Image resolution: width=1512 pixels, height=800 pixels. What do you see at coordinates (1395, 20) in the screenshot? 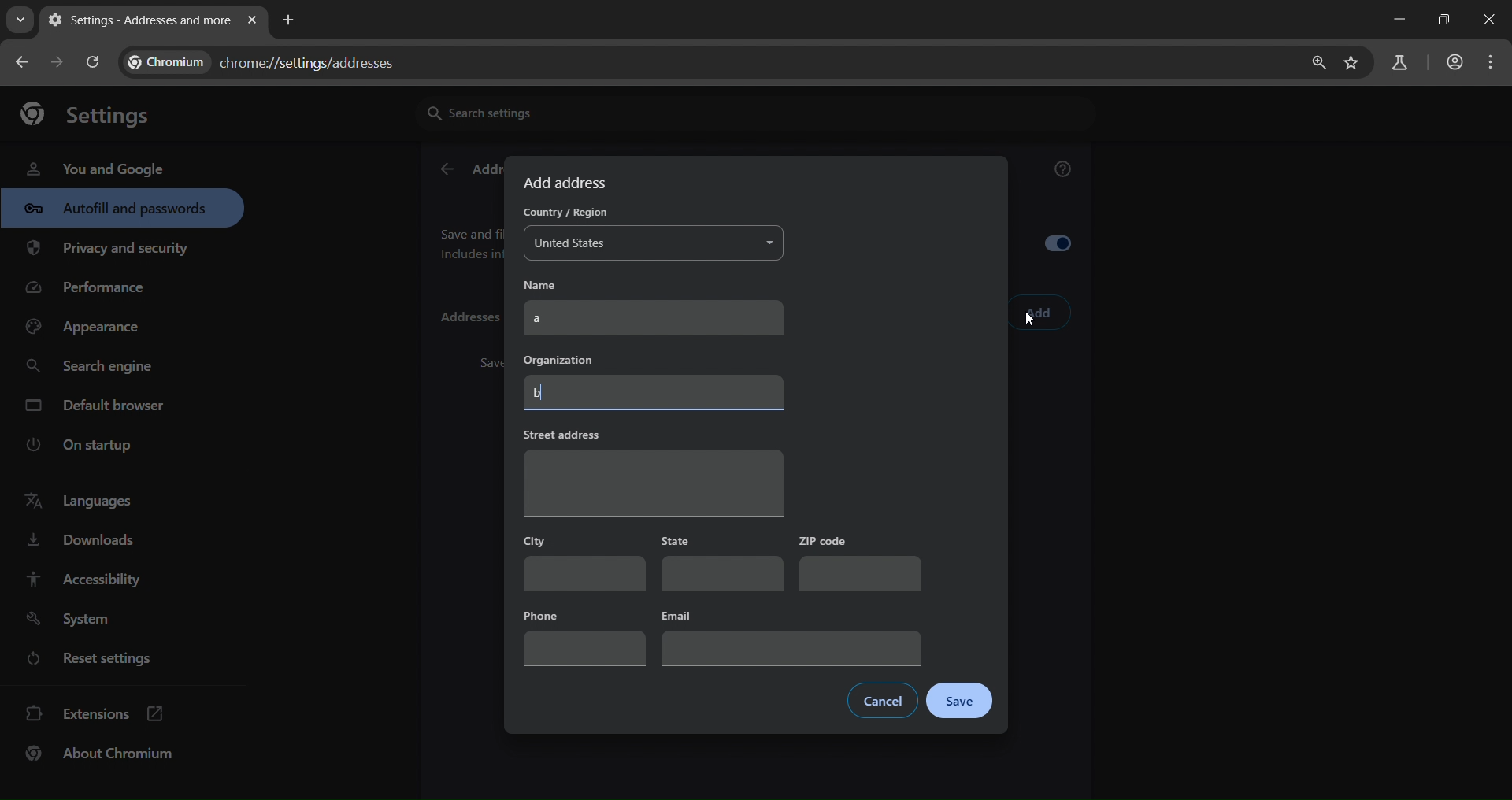
I see `minimize` at bounding box center [1395, 20].